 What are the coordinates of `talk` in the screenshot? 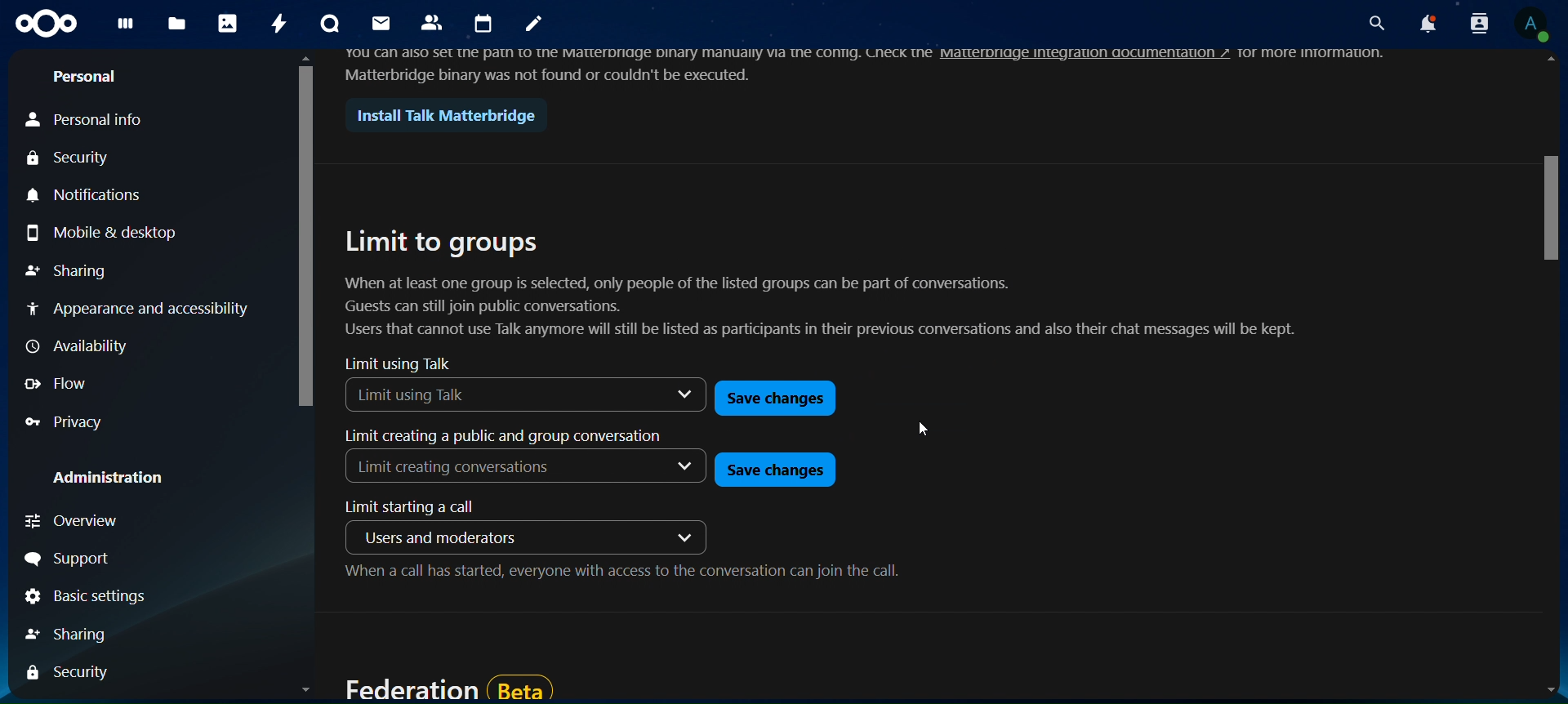 It's located at (327, 25).